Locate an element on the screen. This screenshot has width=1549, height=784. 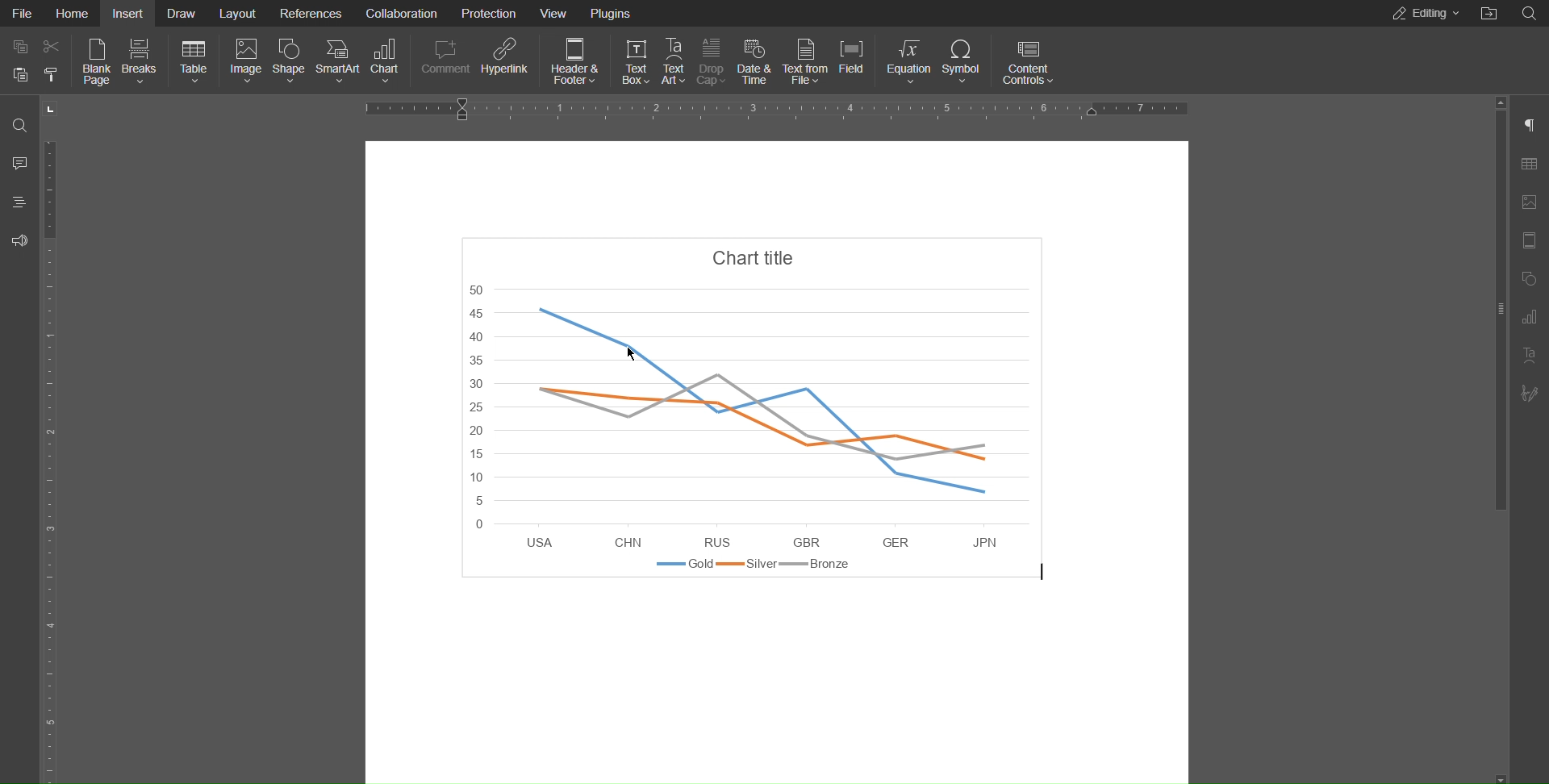
Open File Location is located at coordinates (1487, 14).